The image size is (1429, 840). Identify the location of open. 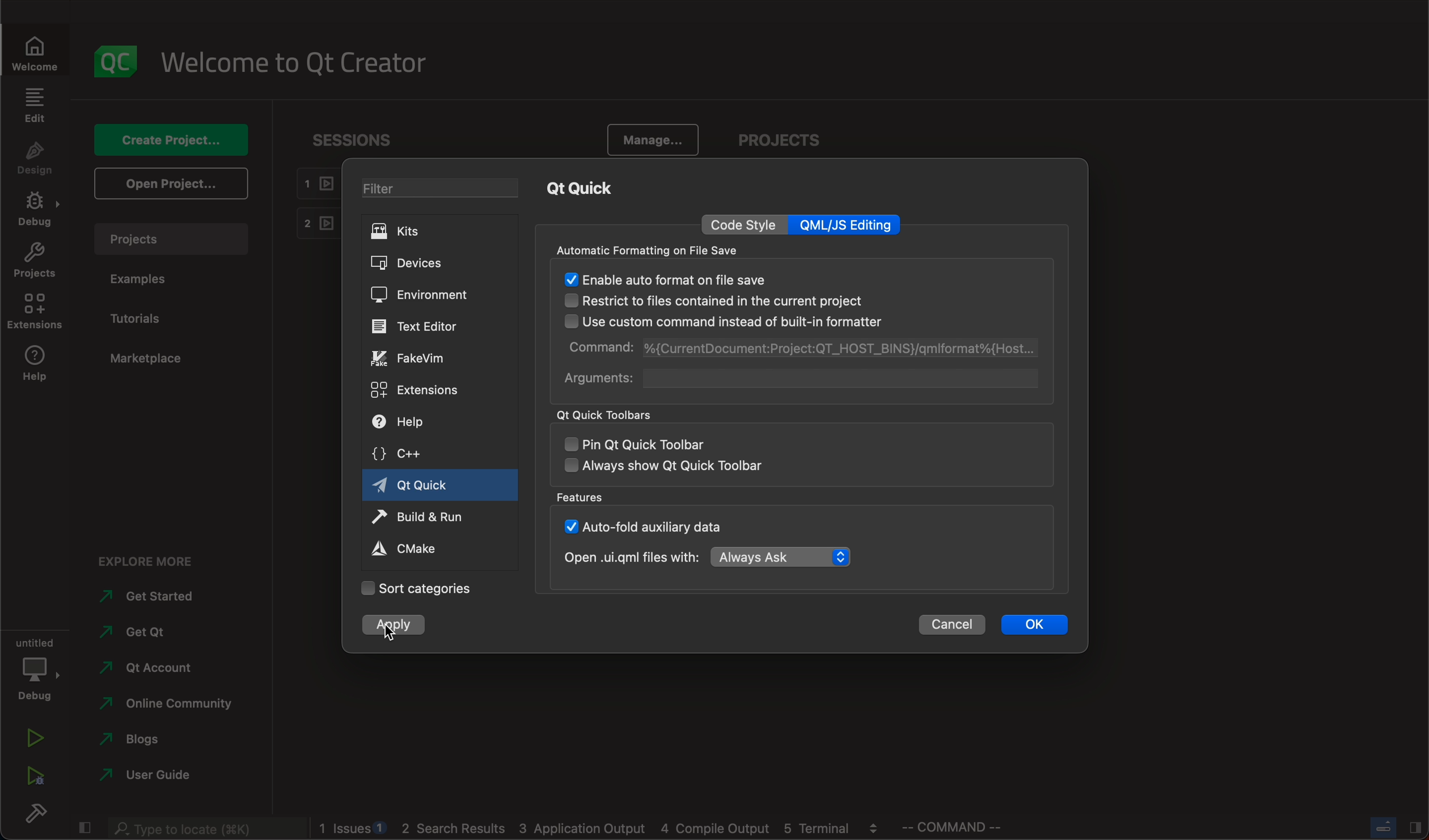
(170, 184).